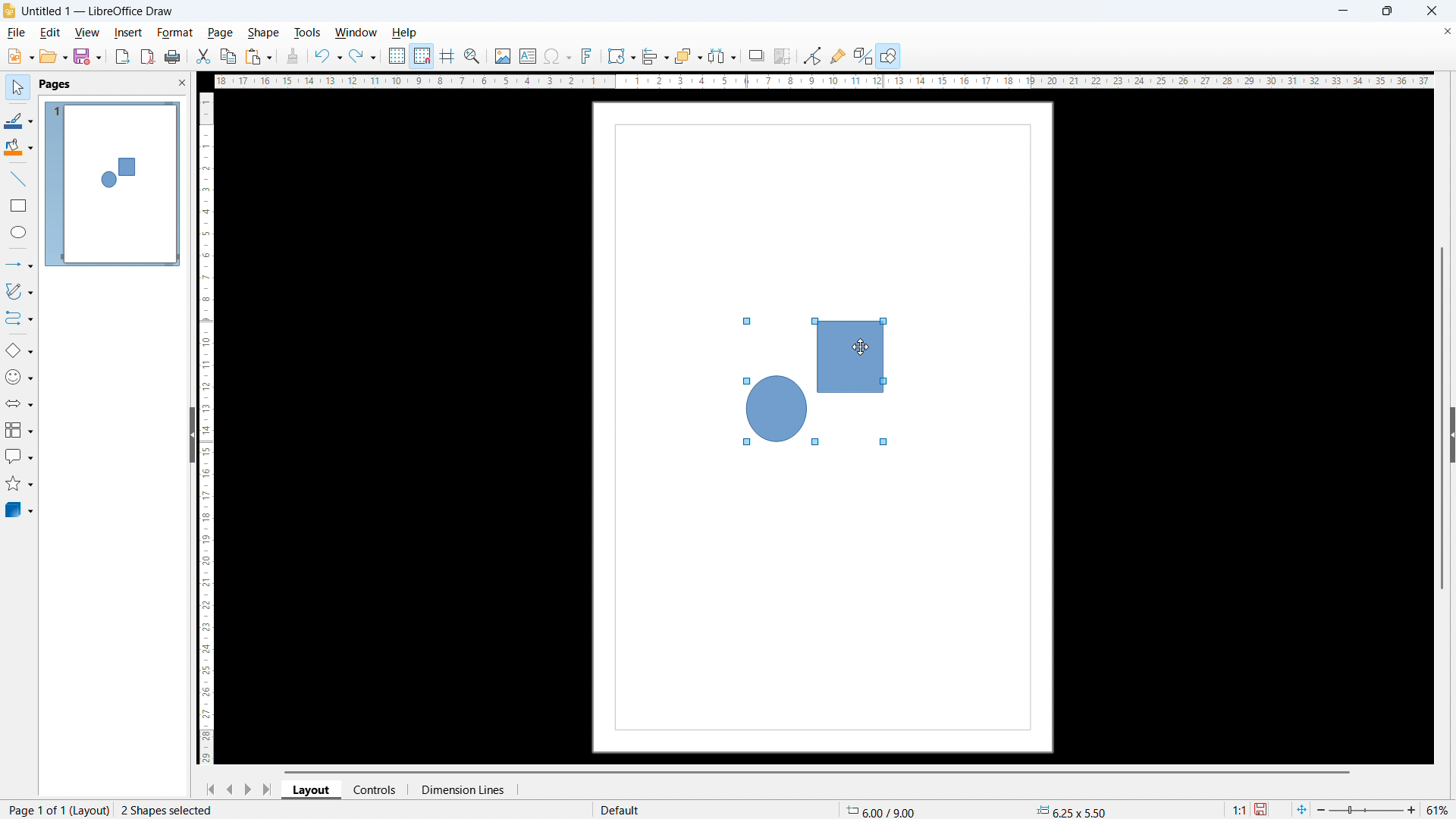 The width and height of the screenshot is (1456, 819). I want to click on controls, so click(375, 790).